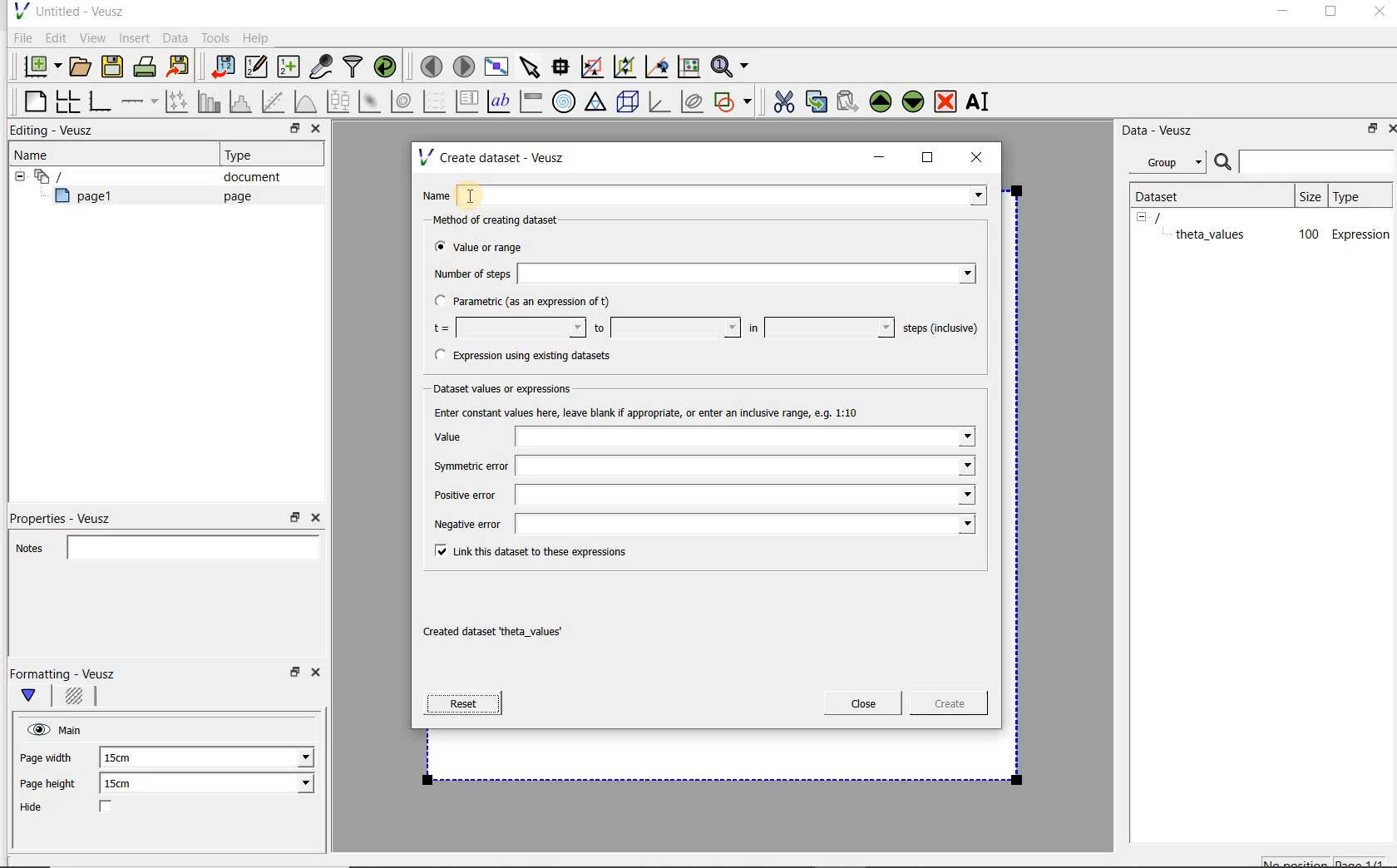  I want to click on document, so click(245, 177).